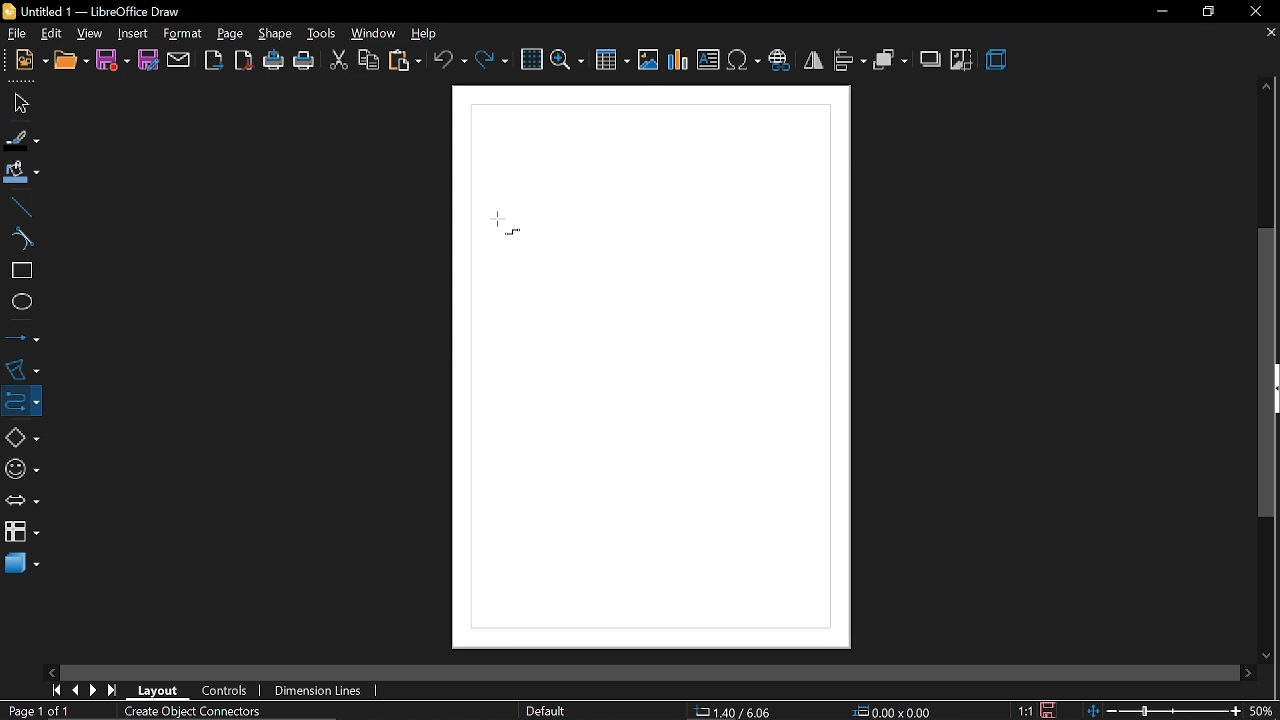 This screenshot has width=1280, height=720. I want to click on Cursor, so click(492, 222).